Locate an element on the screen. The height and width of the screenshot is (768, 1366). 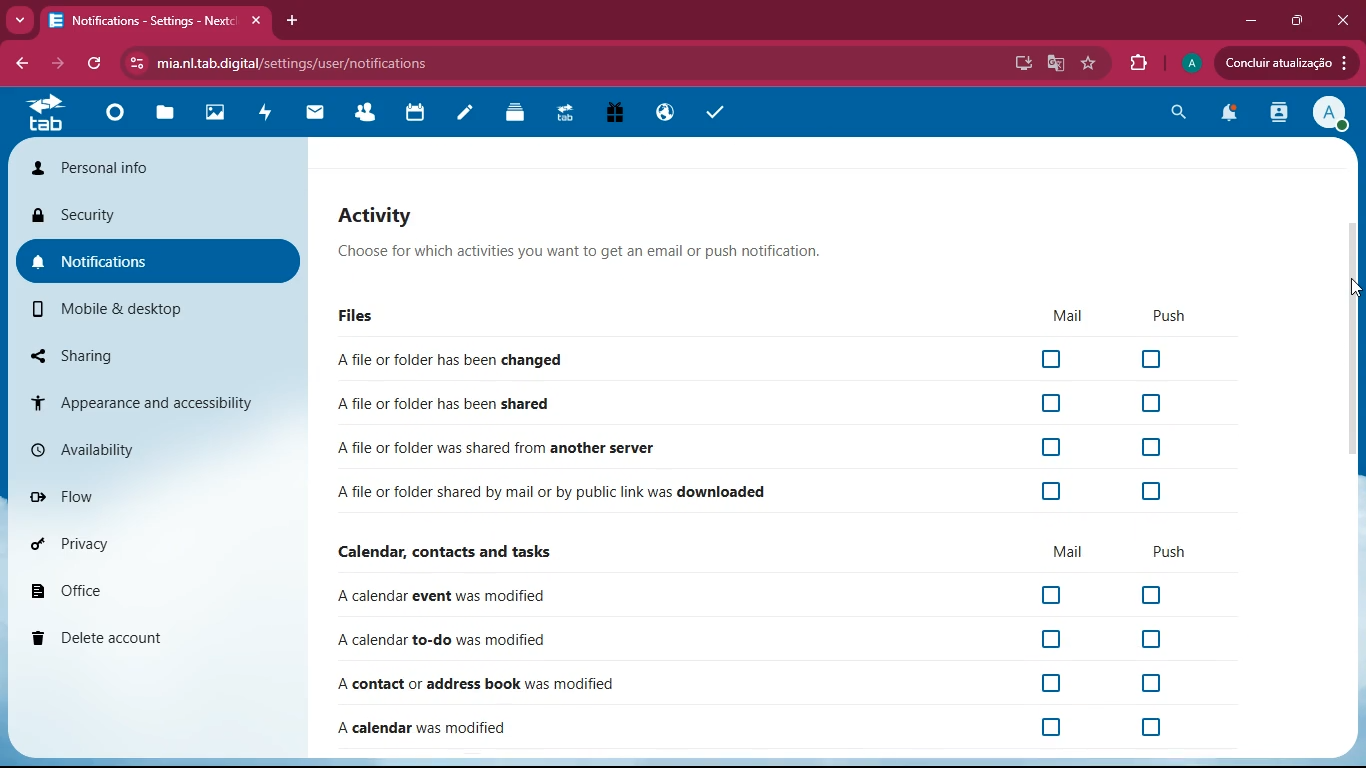
files is located at coordinates (168, 116).